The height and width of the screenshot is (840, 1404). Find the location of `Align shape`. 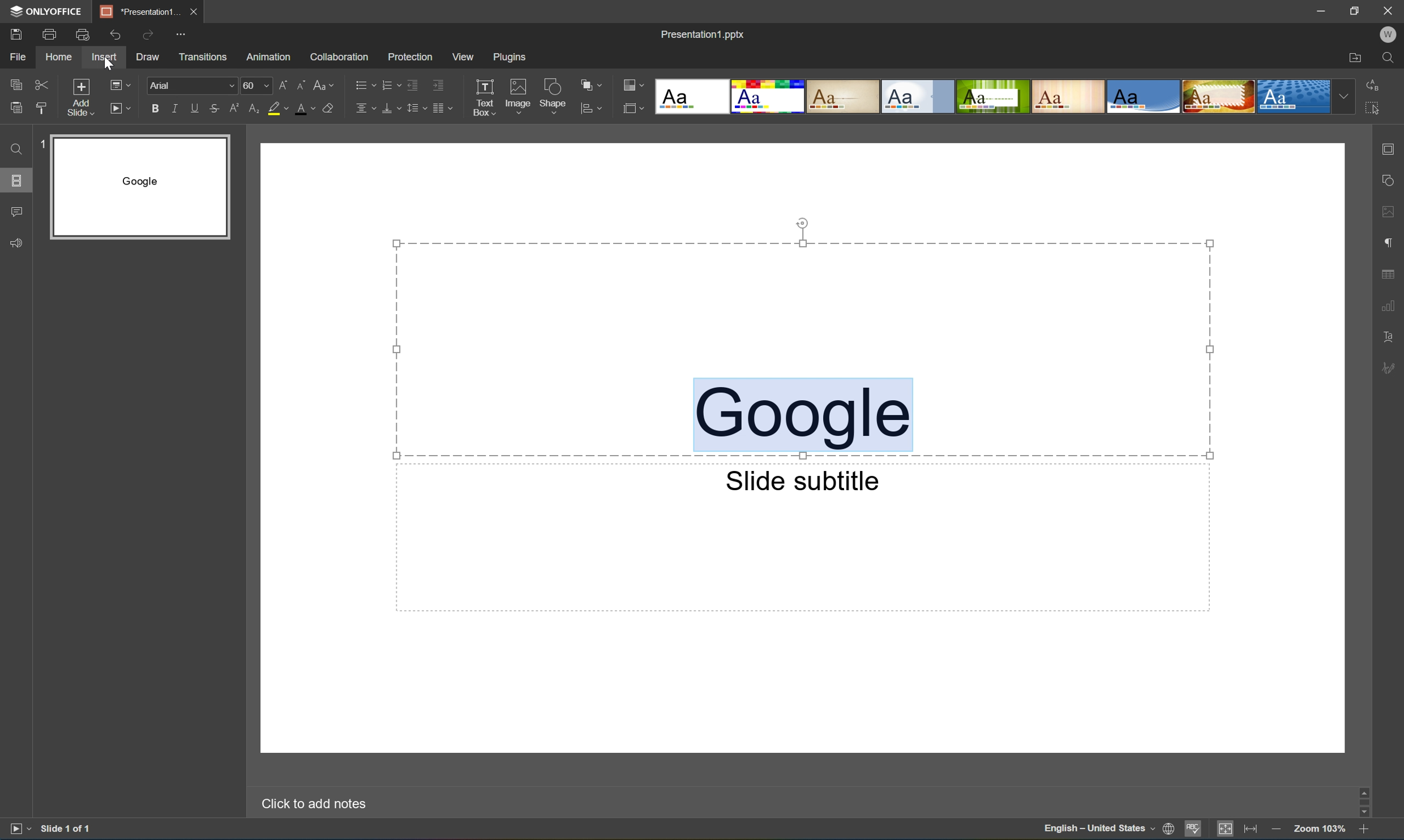

Align shape is located at coordinates (592, 109).